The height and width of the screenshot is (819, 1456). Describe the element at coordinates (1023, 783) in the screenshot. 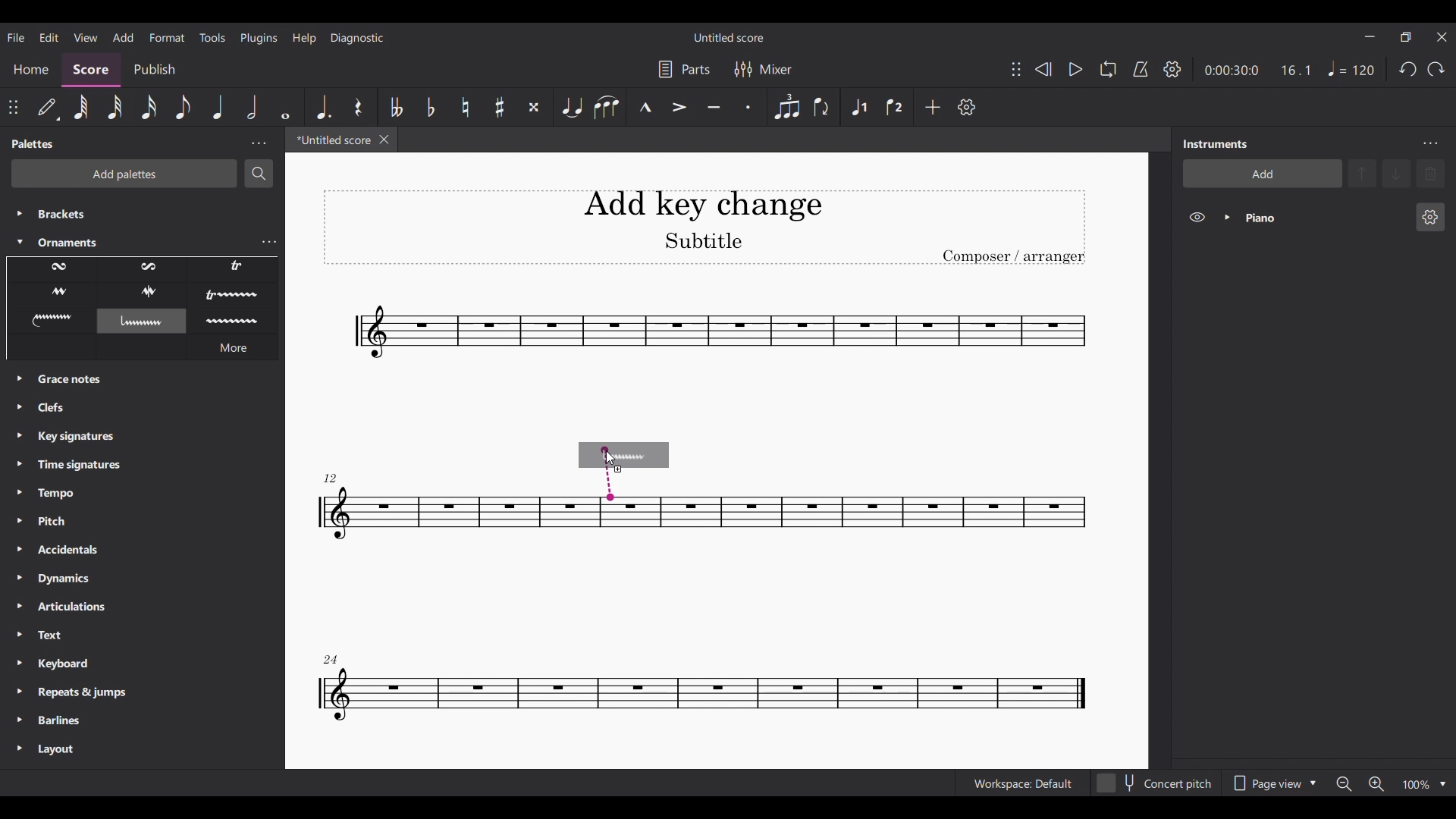

I see `Workspace: default` at that location.